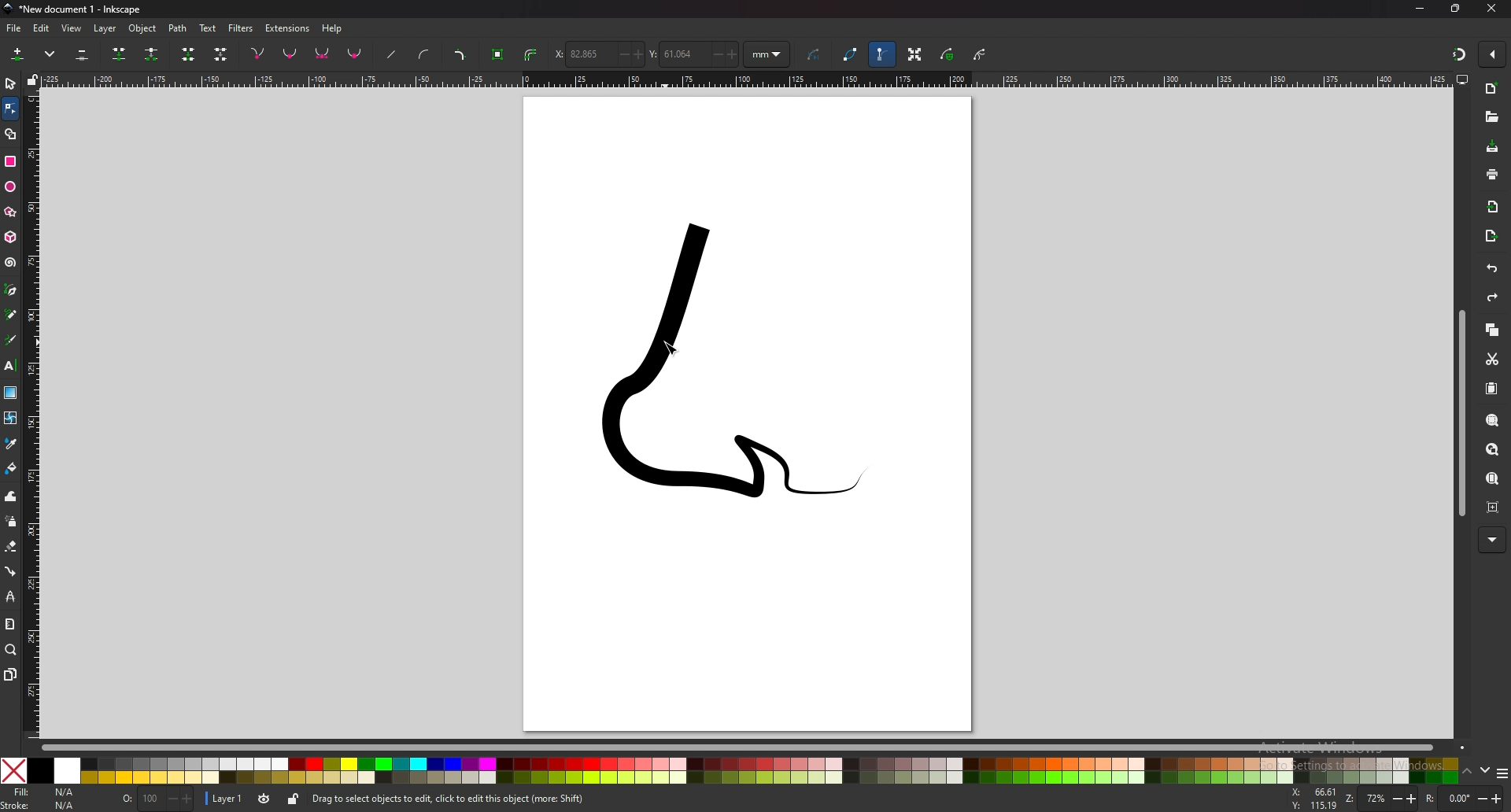 This screenshot has width=1511, height=812. Describe the element at coordinates (10, 598) in the screenshot. I see `lpe` at that location.